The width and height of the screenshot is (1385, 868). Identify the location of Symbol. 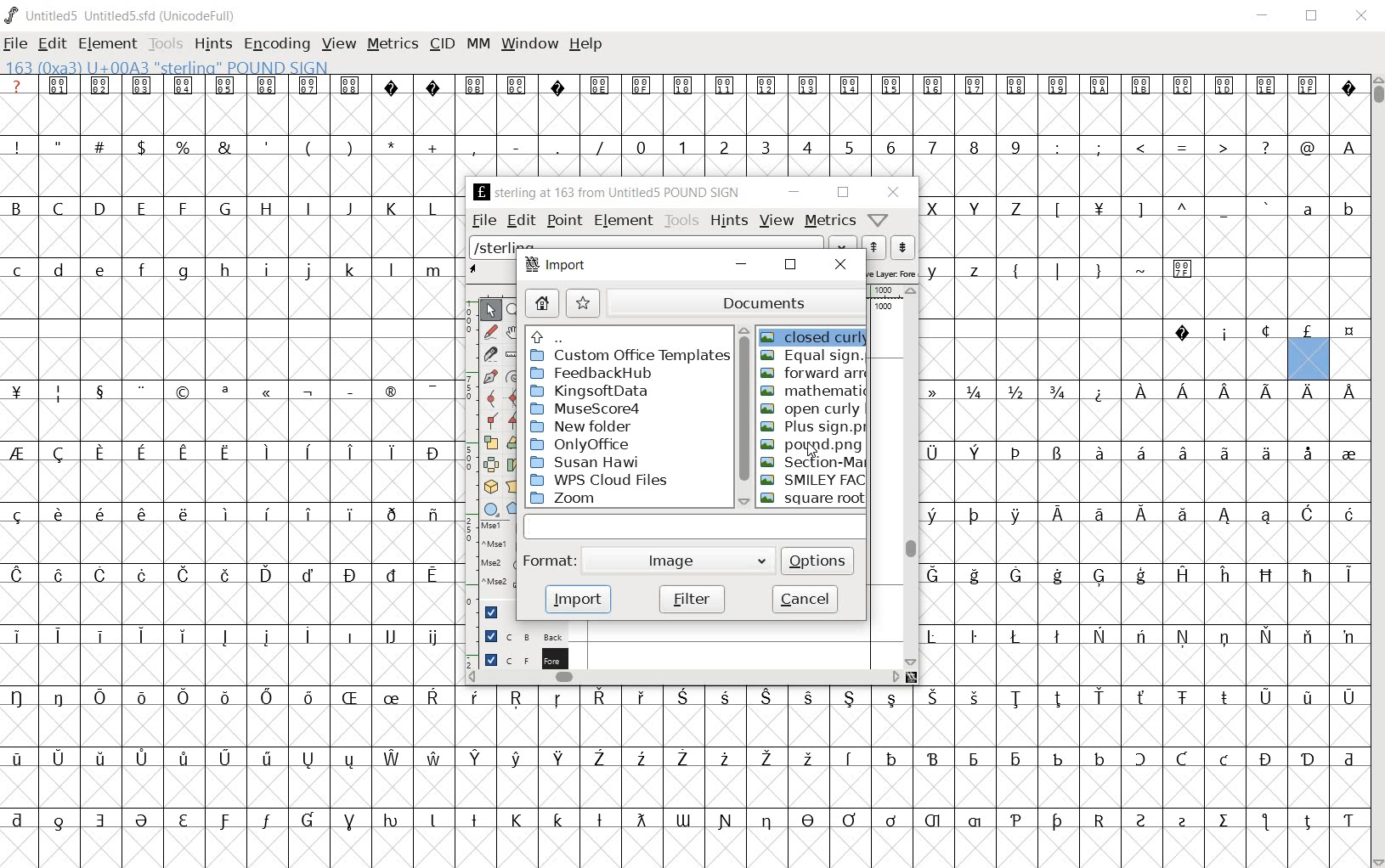
(1266, 823).